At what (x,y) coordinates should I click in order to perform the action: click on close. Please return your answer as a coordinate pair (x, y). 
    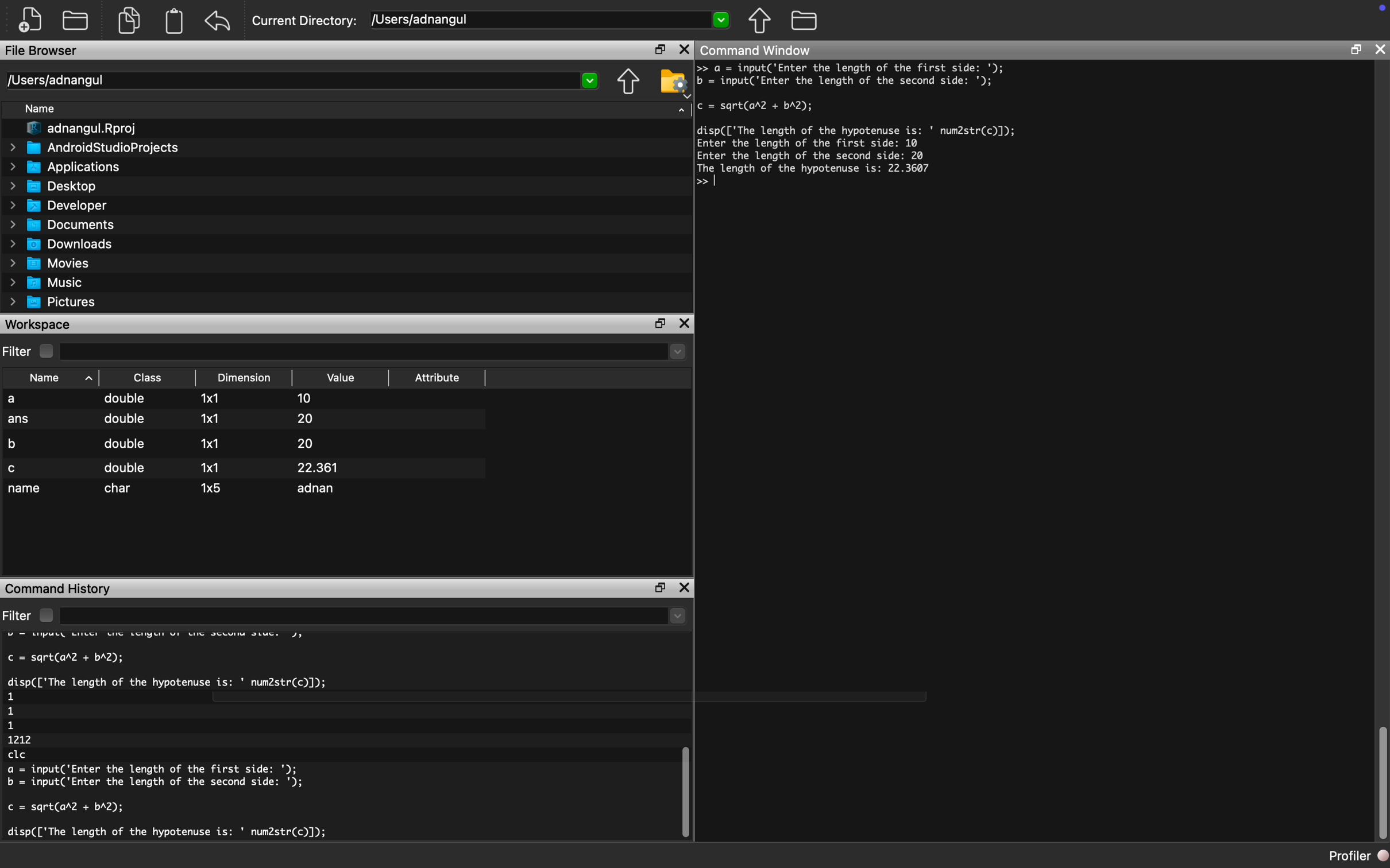
    Looking at the image, I should click on (686, 590).